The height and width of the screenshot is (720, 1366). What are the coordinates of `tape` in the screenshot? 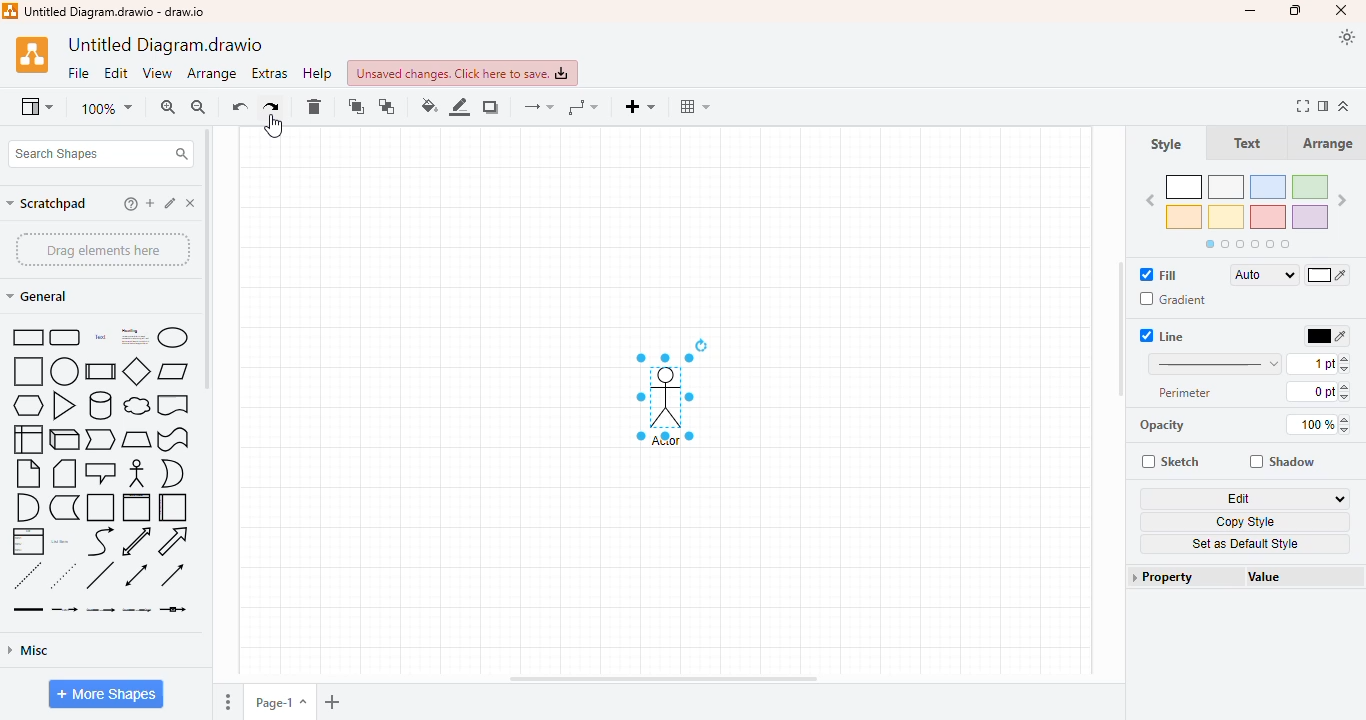 It's located at (173, 440).